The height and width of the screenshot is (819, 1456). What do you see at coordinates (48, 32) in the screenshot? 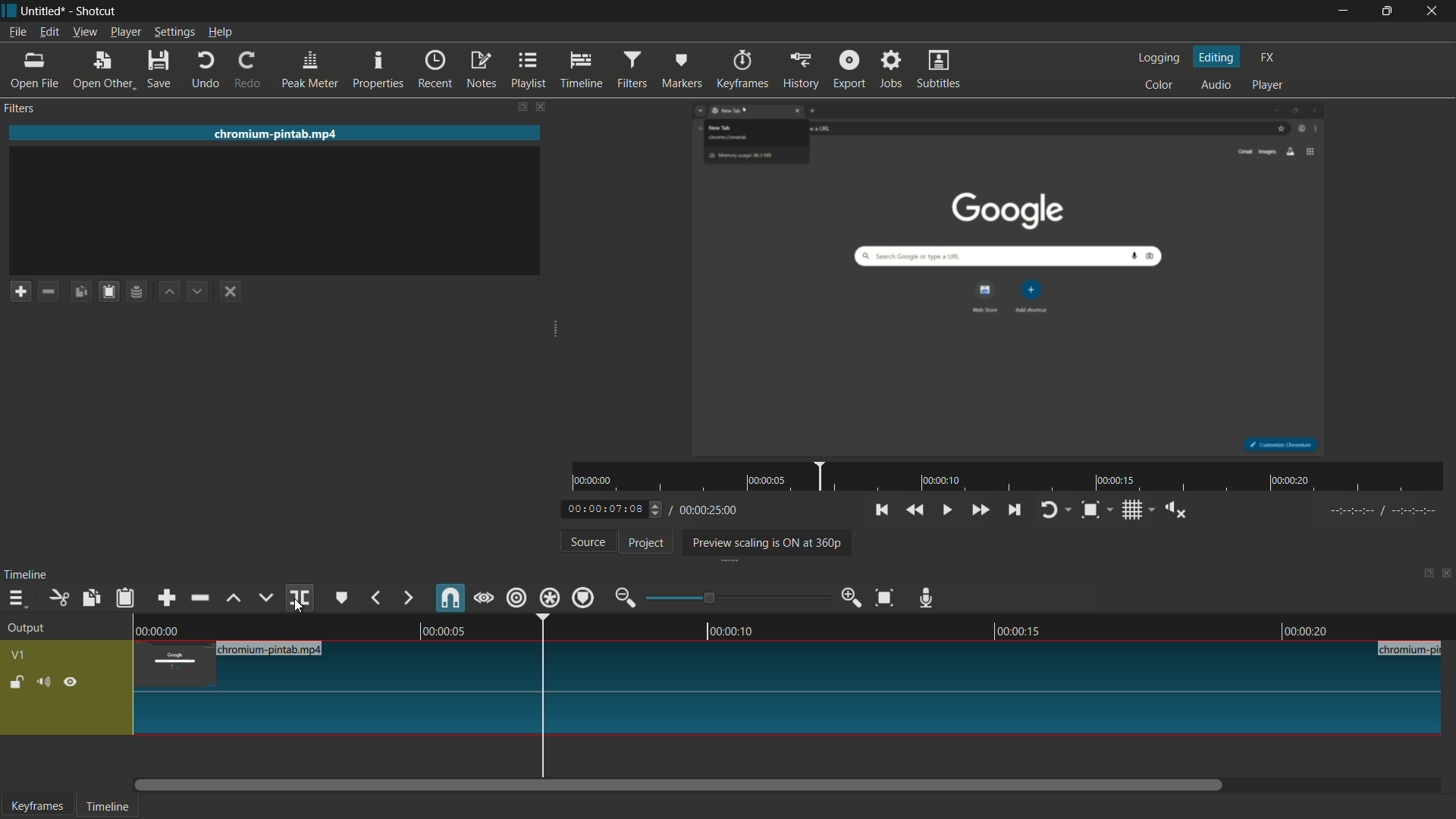
I see `edit menu` at bounding box center [48, 32].